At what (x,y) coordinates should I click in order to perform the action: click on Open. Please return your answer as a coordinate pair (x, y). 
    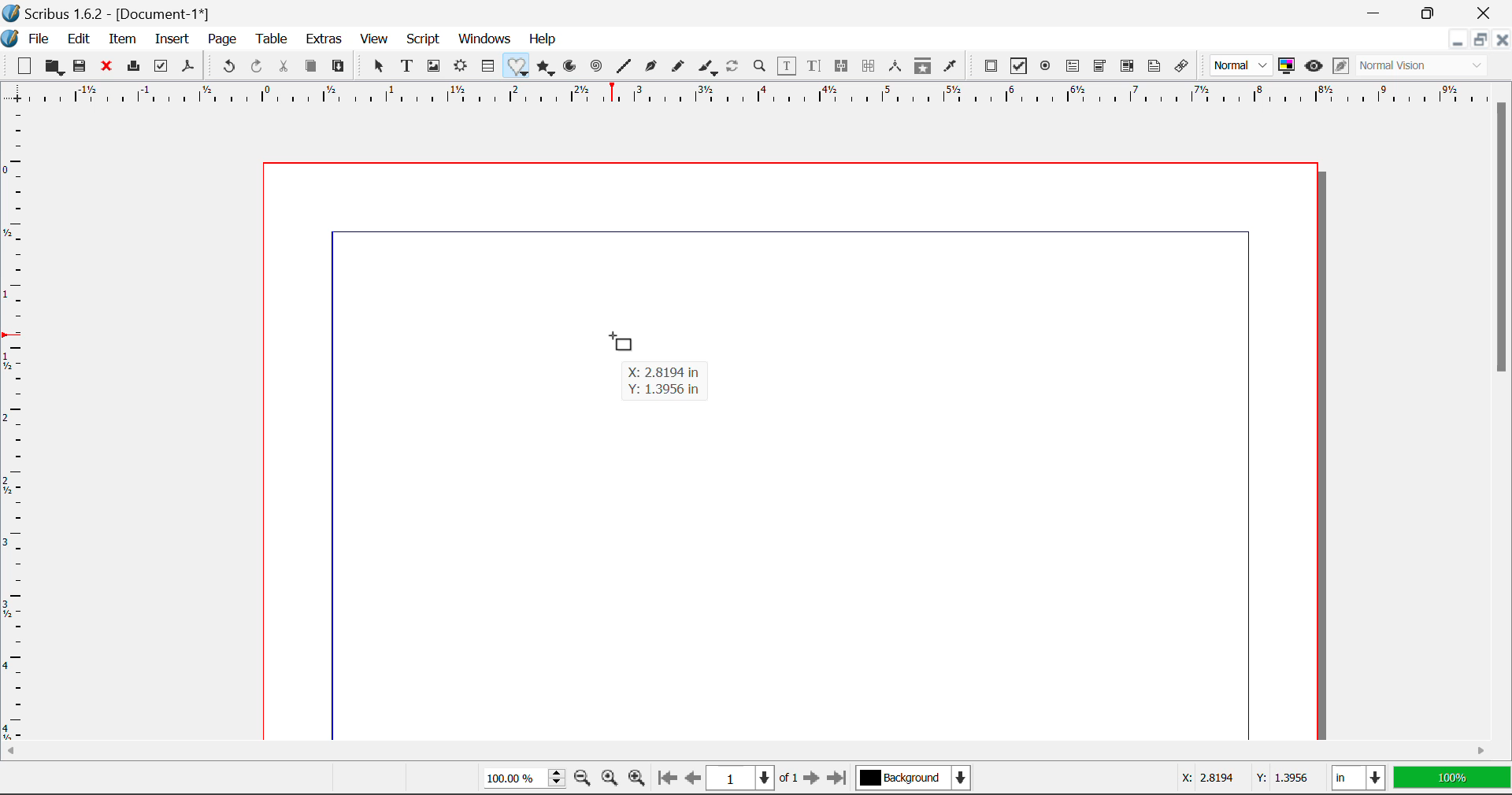
    Looking at the image, I should click on (55, 67).